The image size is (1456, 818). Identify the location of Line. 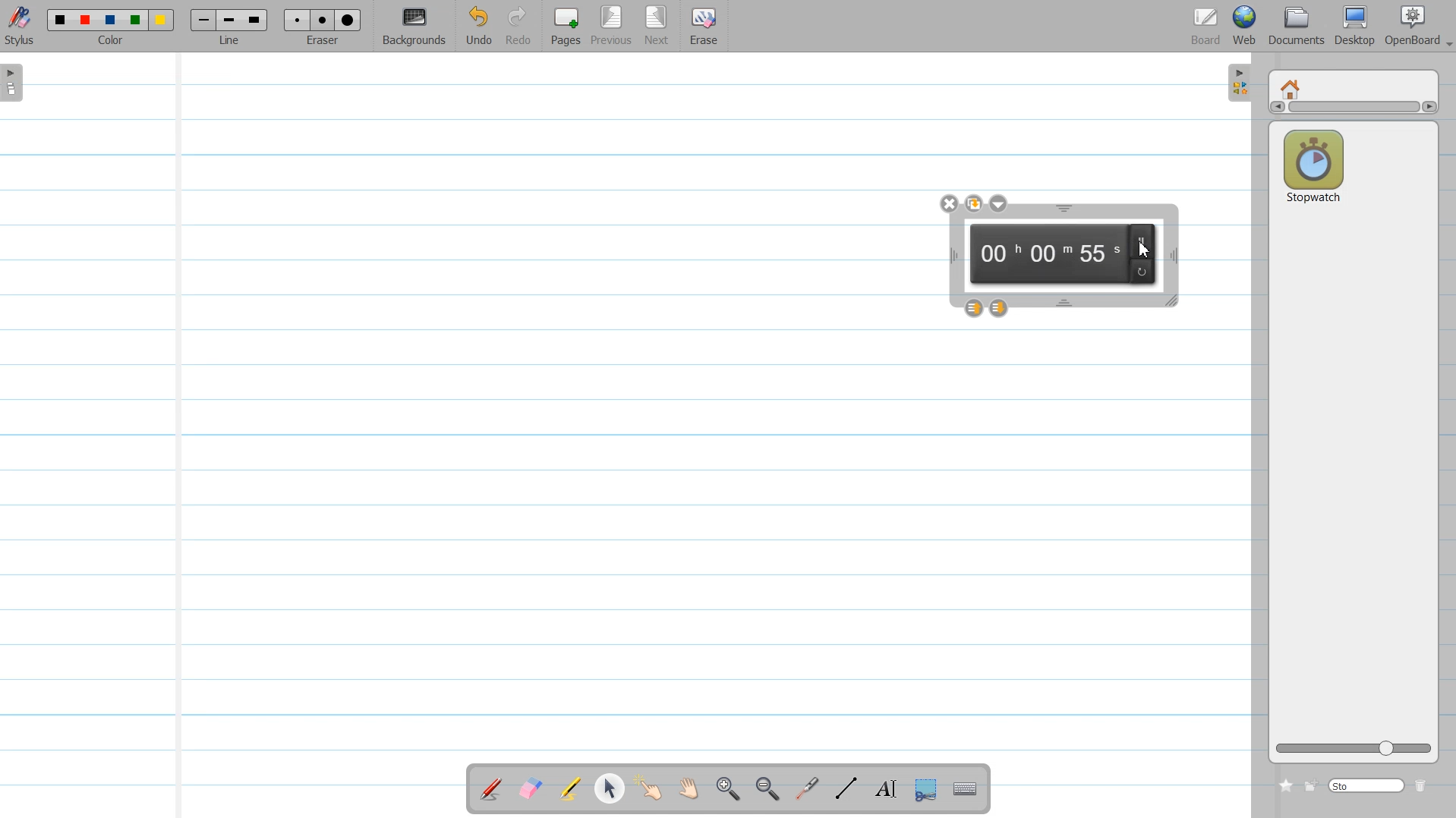
(229, 27).